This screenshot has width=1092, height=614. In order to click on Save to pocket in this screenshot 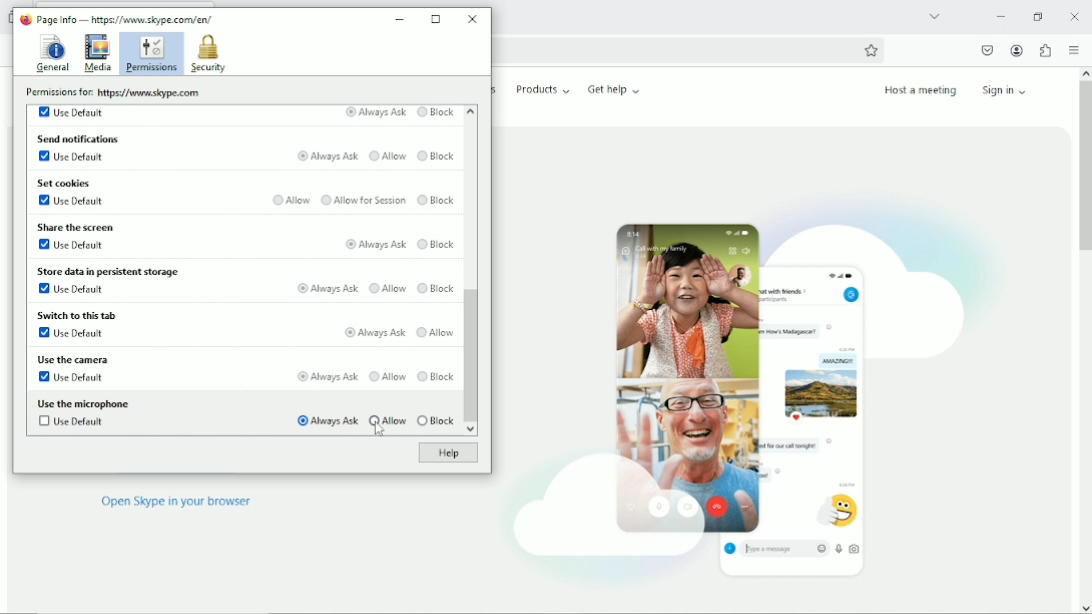, I will do `click(986, 50)`.